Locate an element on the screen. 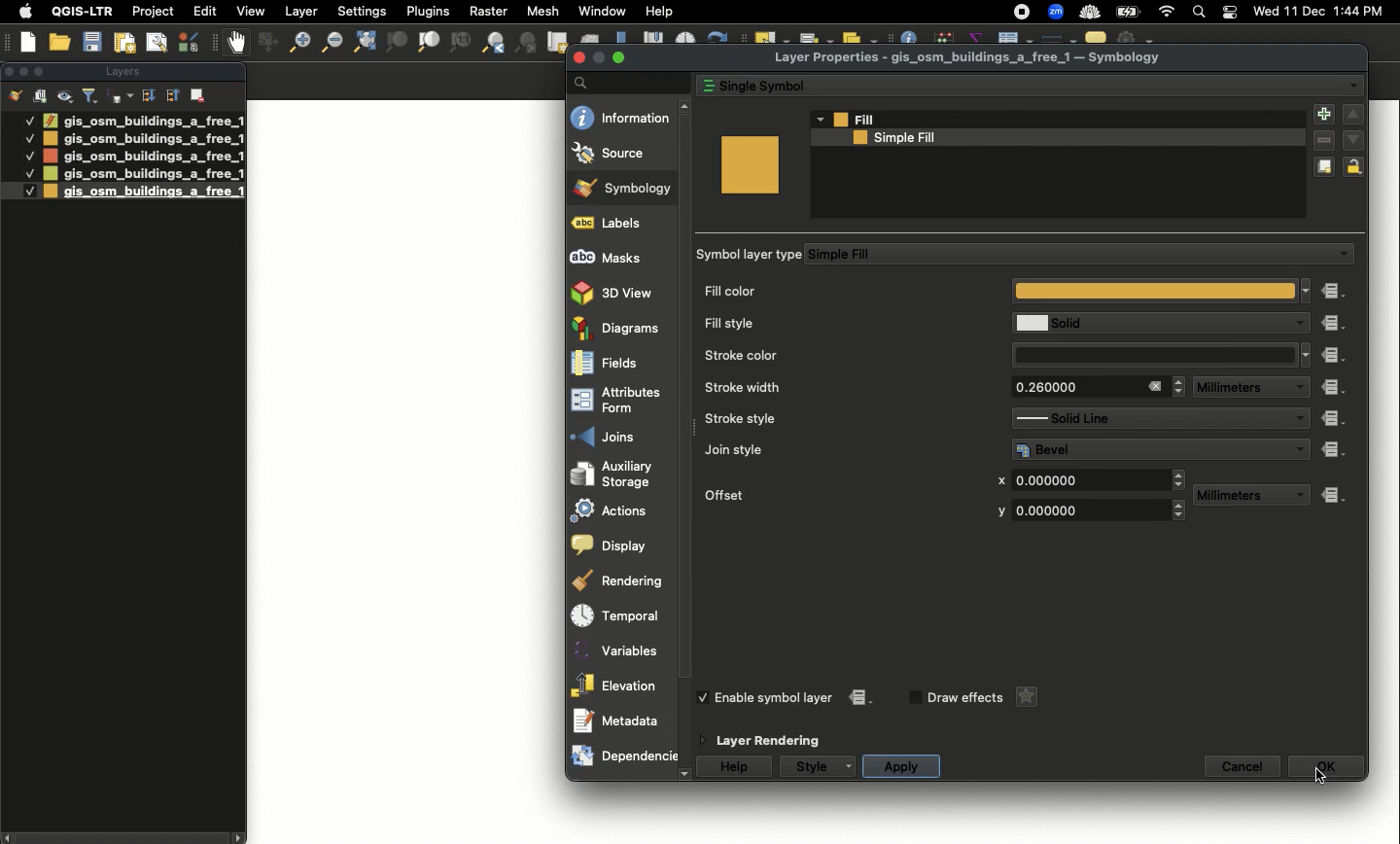  Project is located at coordinates (153, 13).